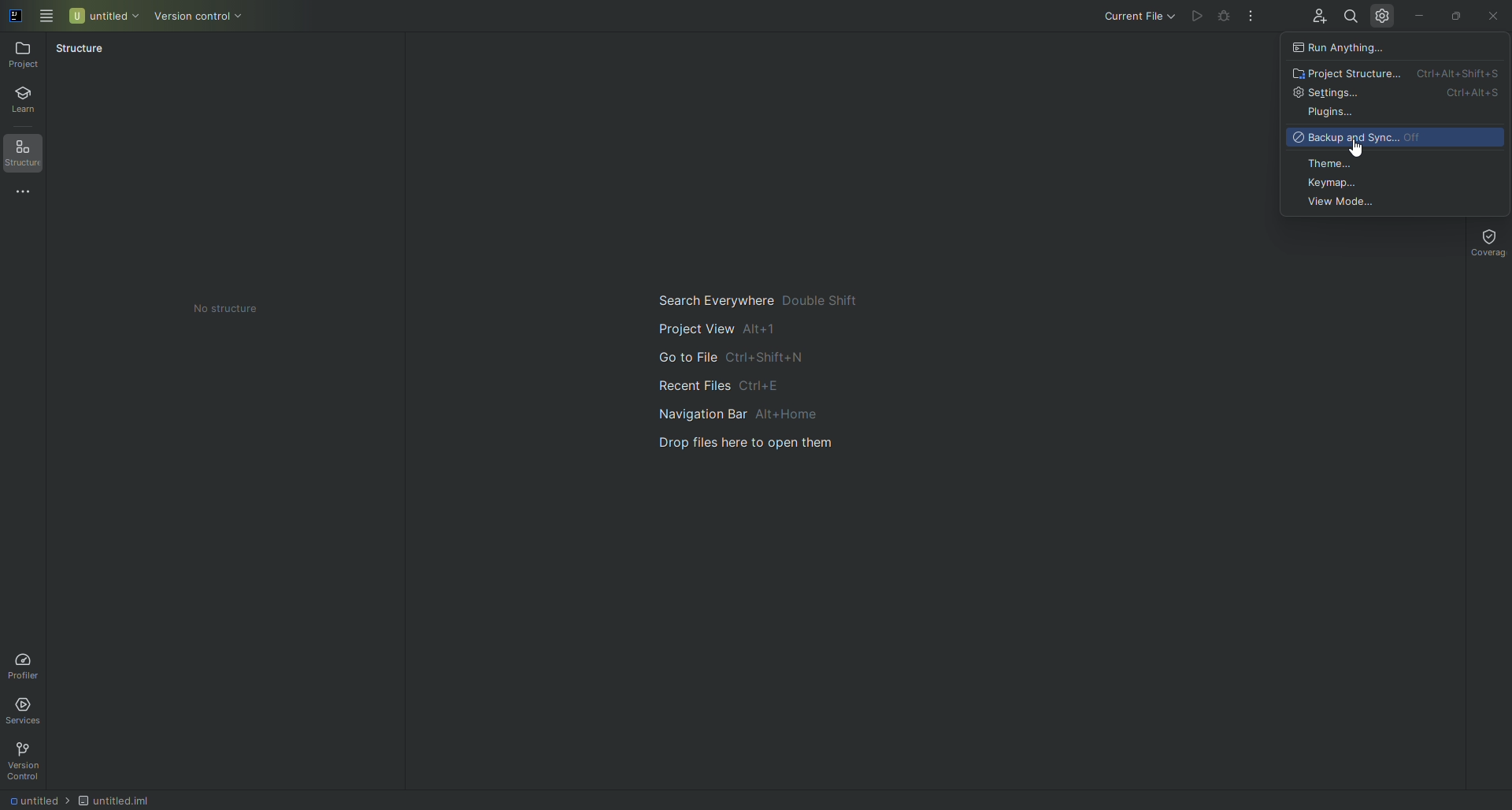 The image size is (1512, 810). I want to click on View Mode, so click(1346, 202).